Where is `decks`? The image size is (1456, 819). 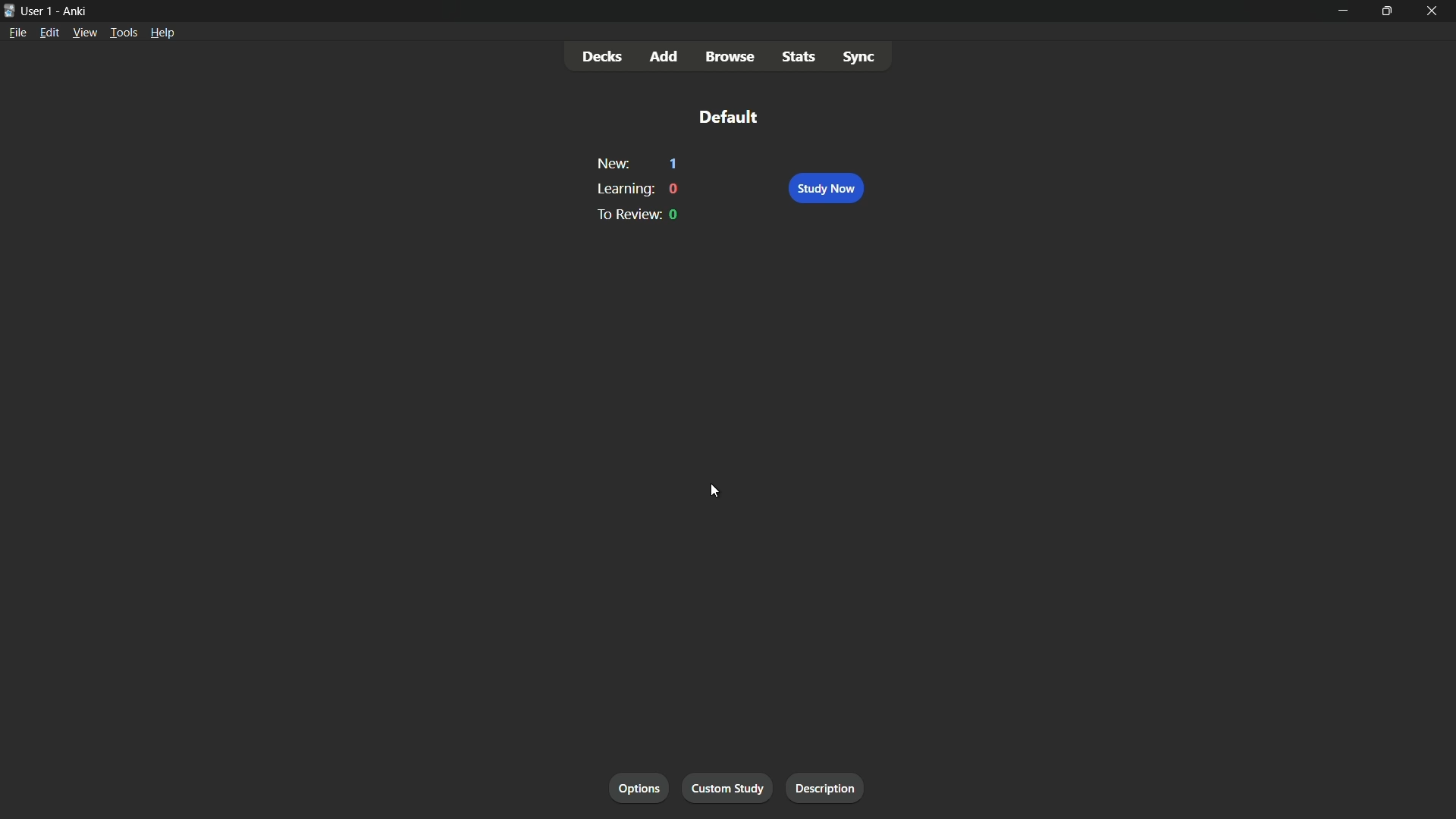
decks is located at coordinates (604, 55).